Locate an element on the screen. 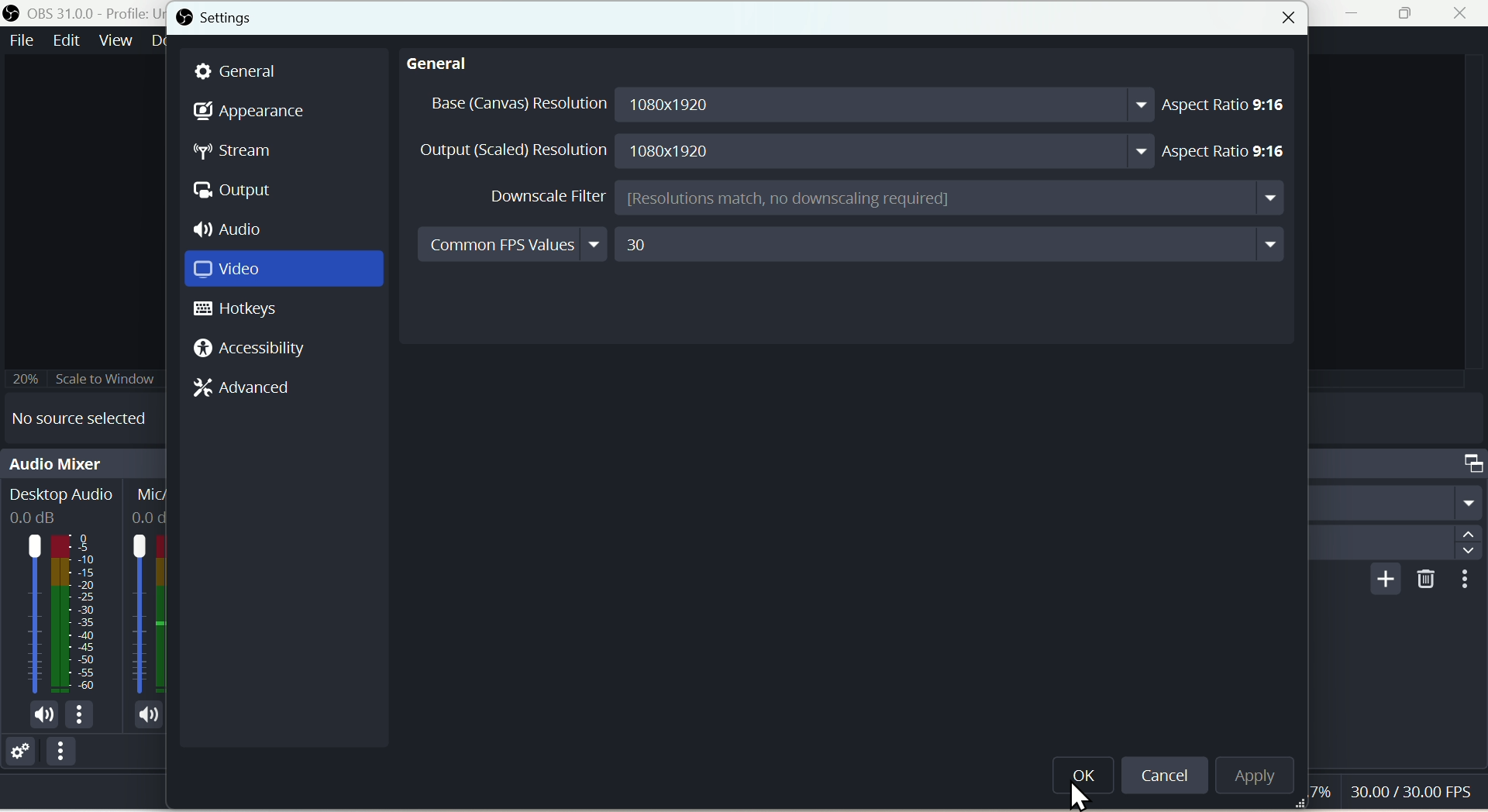 The image size is (1488, 812). Duration is located at coordinates (1396, 543).